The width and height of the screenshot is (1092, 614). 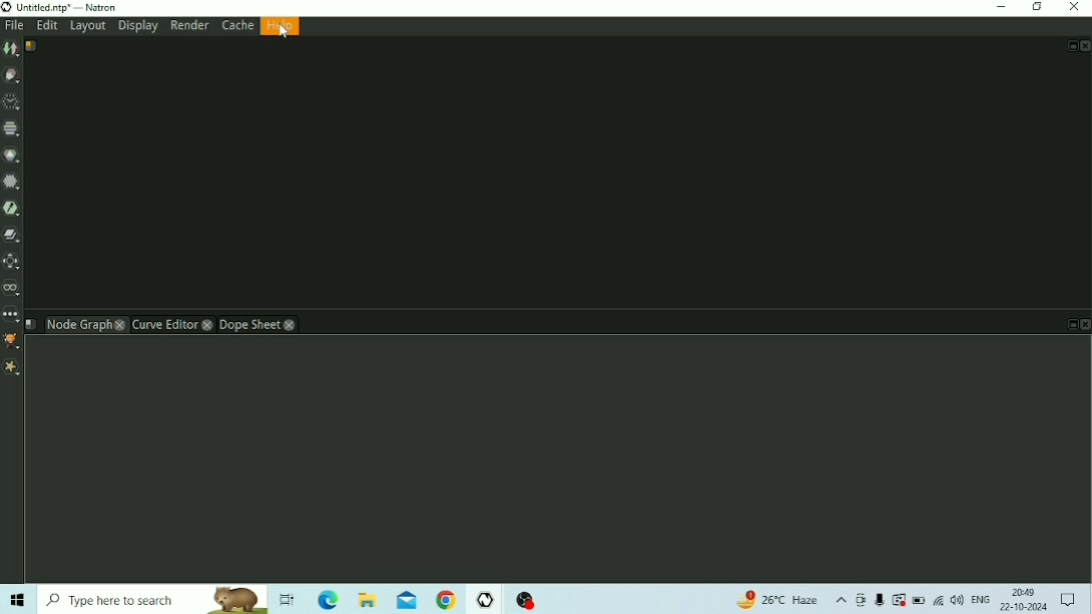 I want to click on Display, so click(x=136, y=27).